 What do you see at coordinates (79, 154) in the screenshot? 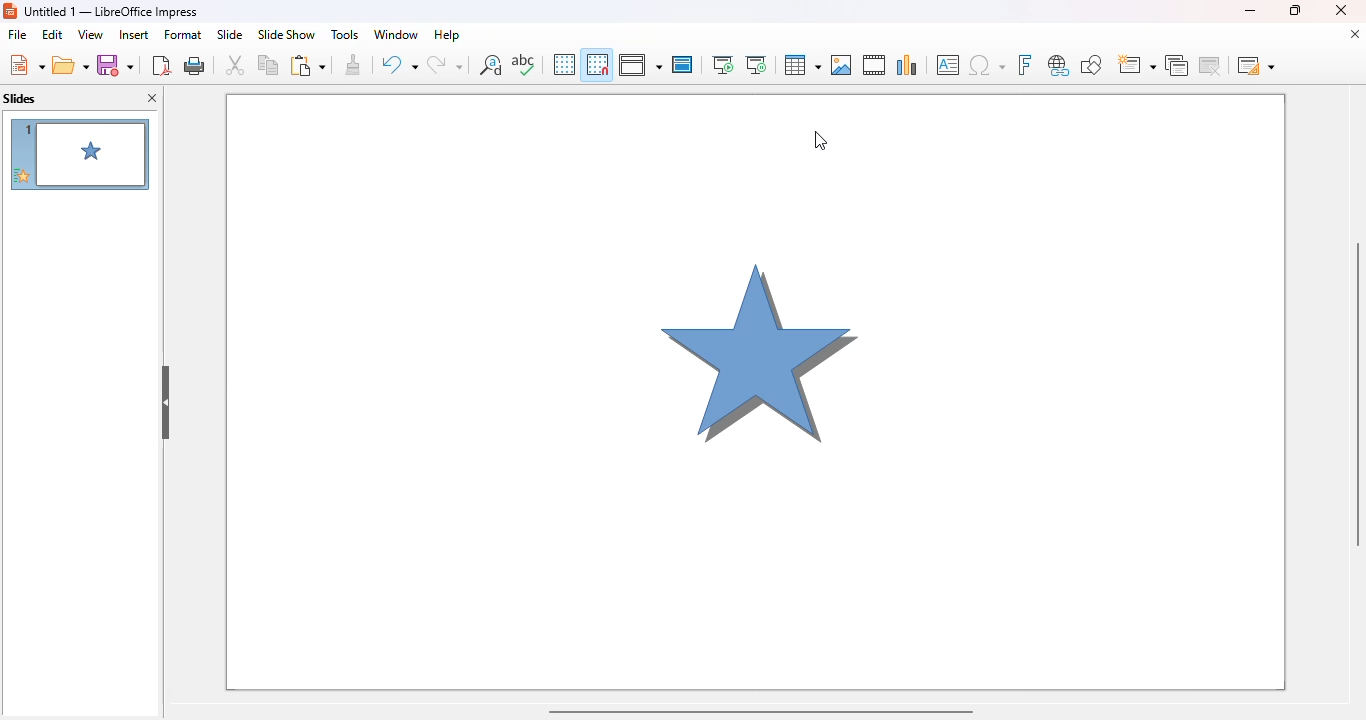
I see `slide 1` at bounding box center [79, 154].